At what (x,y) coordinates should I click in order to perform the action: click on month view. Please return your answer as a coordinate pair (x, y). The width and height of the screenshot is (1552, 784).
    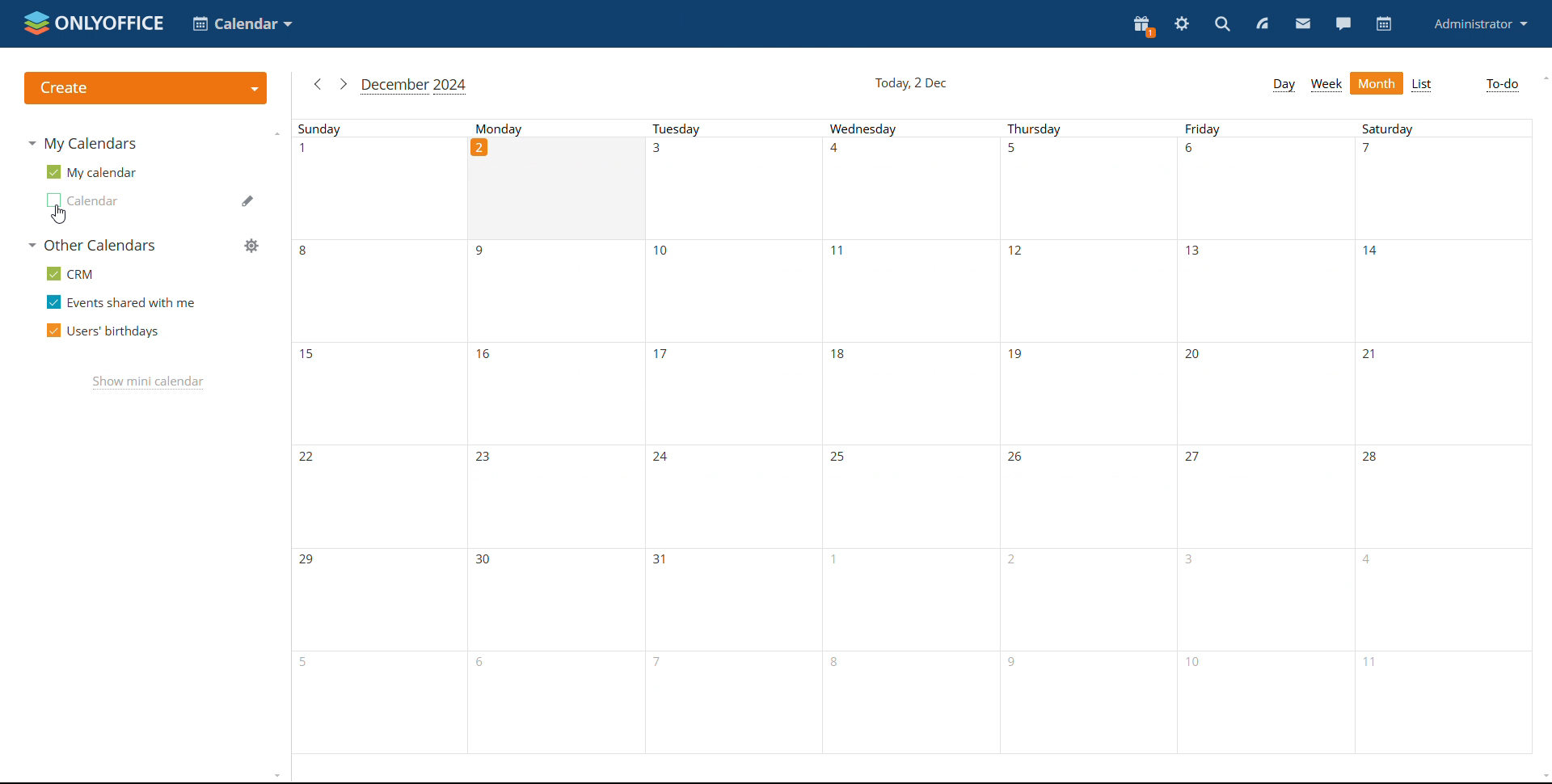
    Looking at the image, I should click on (1377, 83).